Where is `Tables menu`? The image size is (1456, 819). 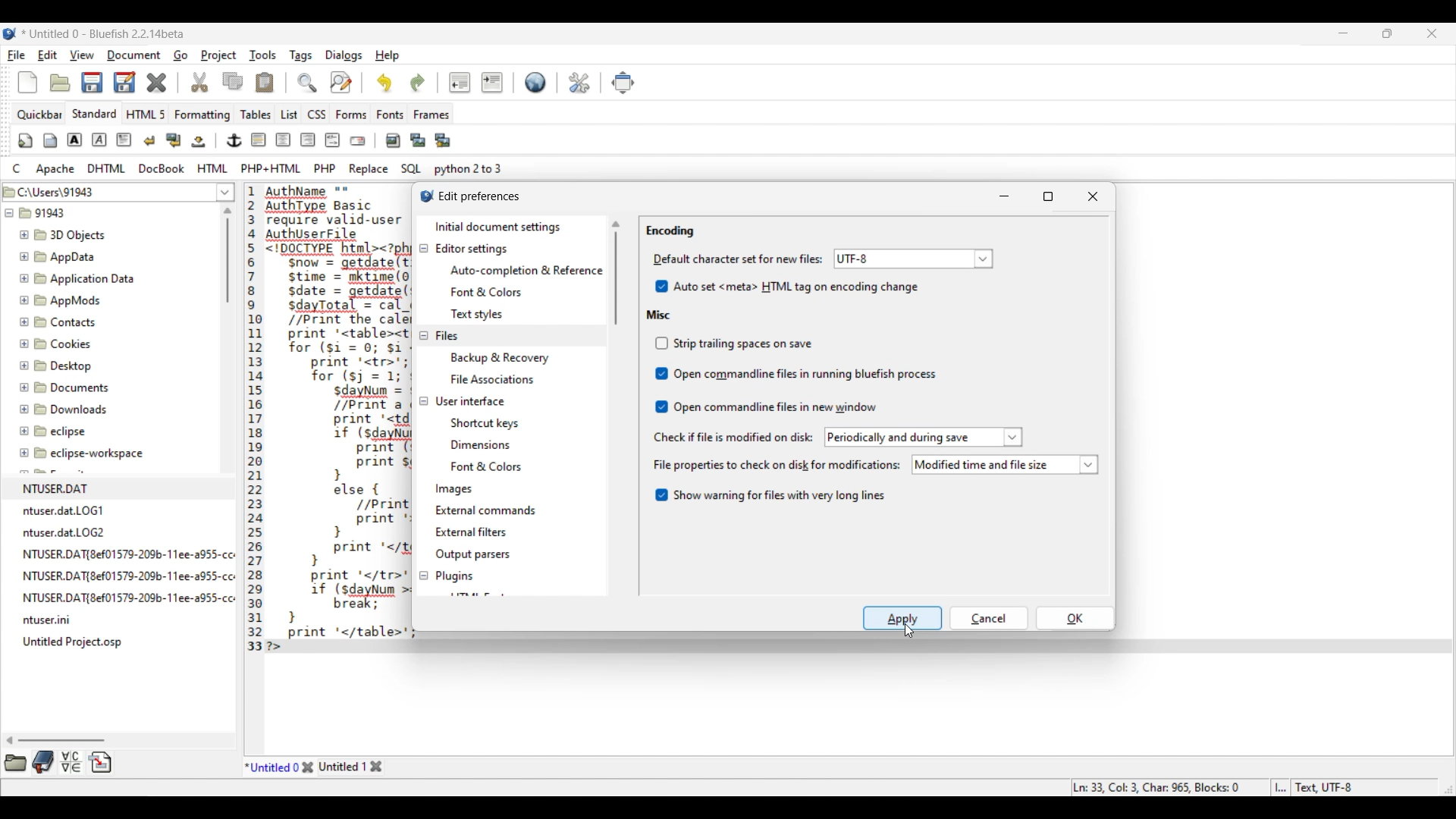
Tables menu is located at coordinates (256, 115).